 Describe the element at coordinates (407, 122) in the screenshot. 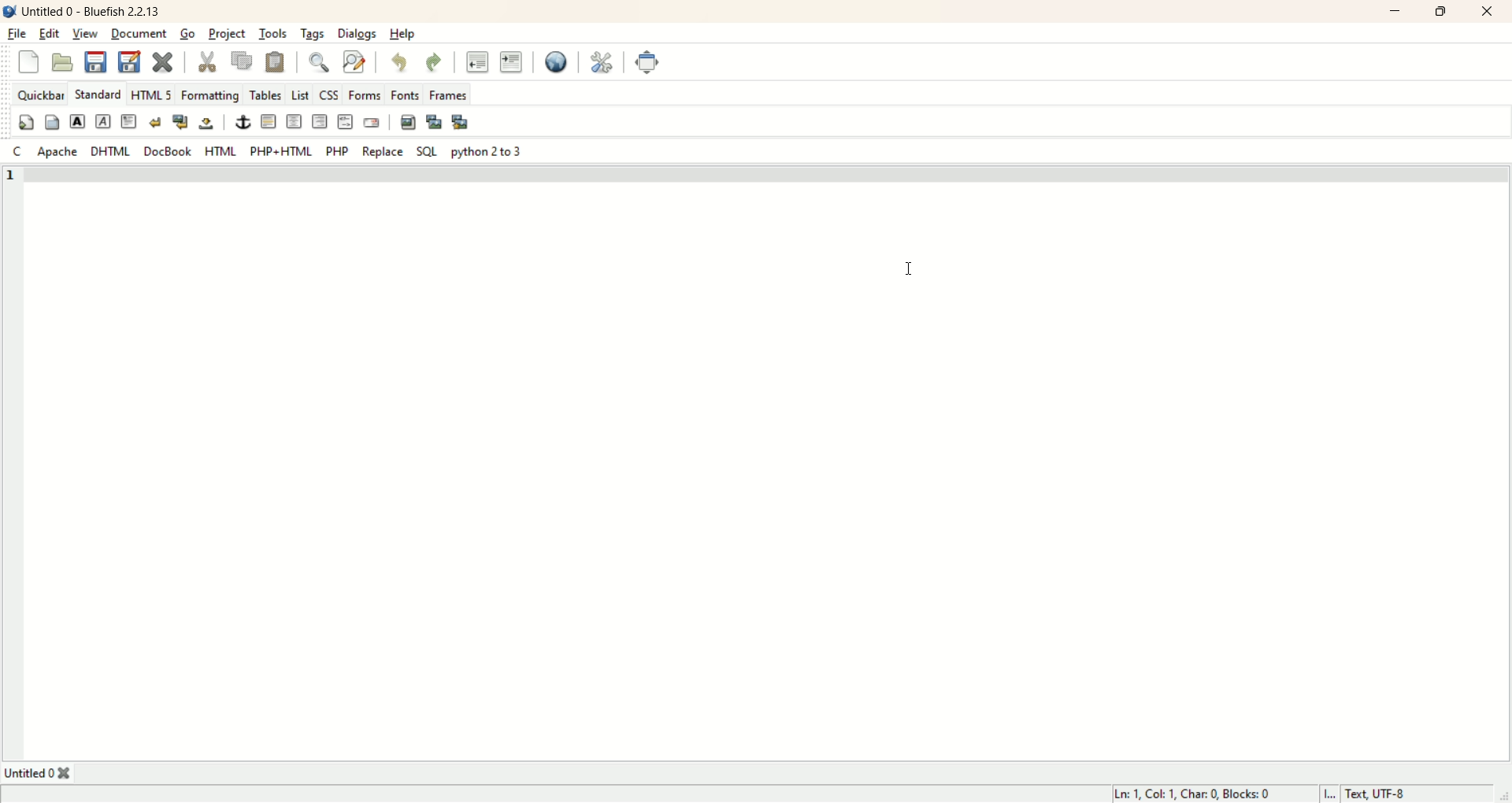

I see `insert image` at that location.